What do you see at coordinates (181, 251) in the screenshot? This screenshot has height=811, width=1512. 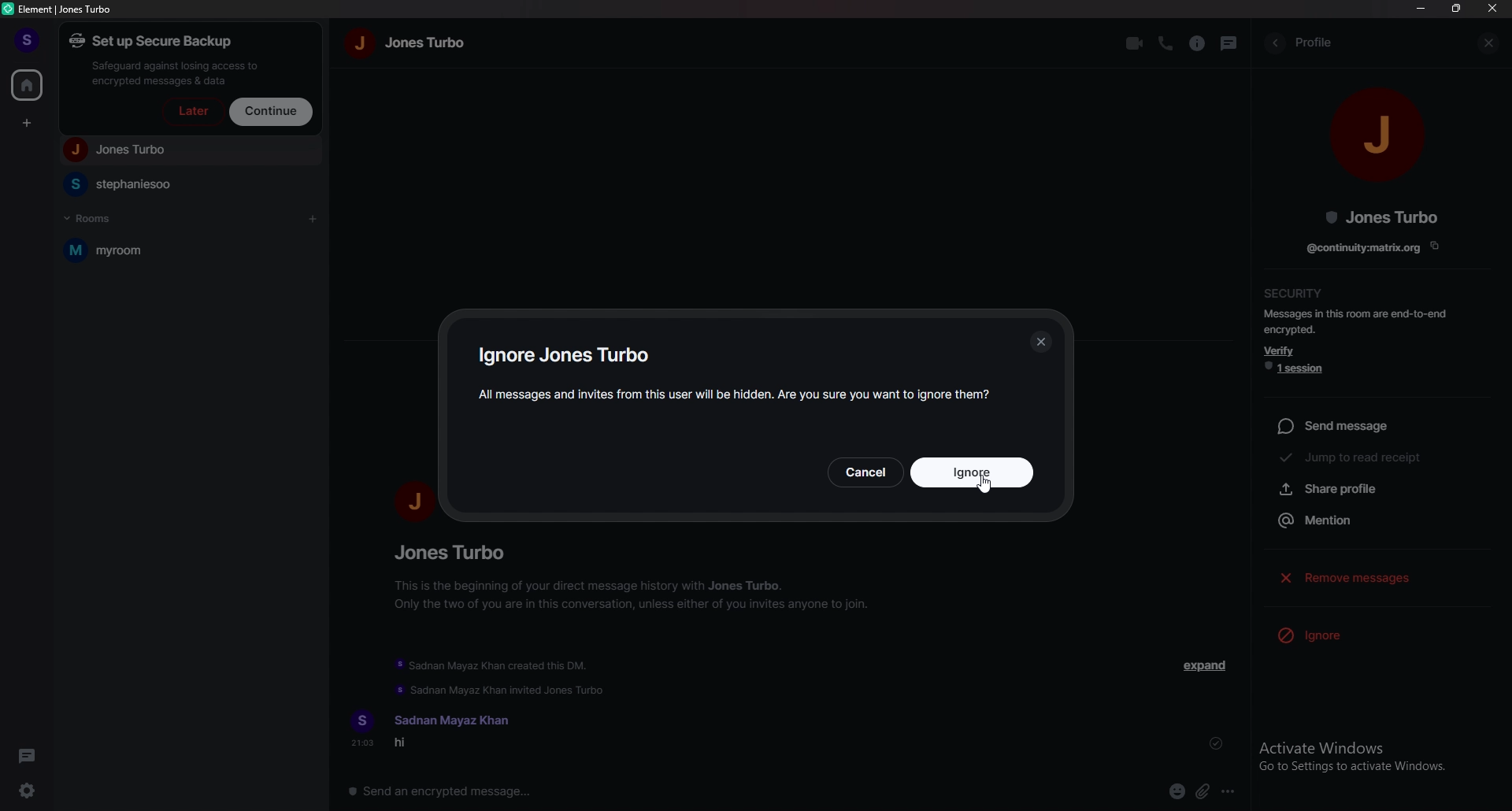 I see `room` at bounding box center [181, 251].